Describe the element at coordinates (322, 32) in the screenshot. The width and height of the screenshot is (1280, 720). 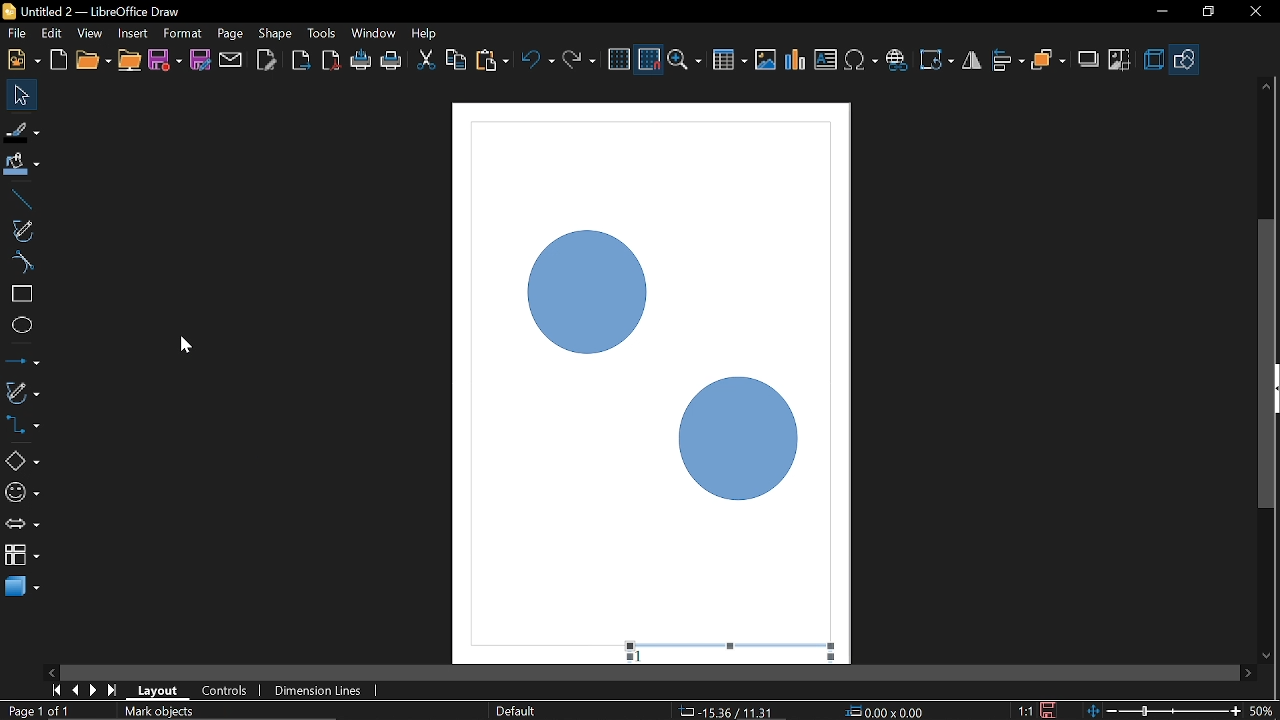
I see `Tools` at that location.